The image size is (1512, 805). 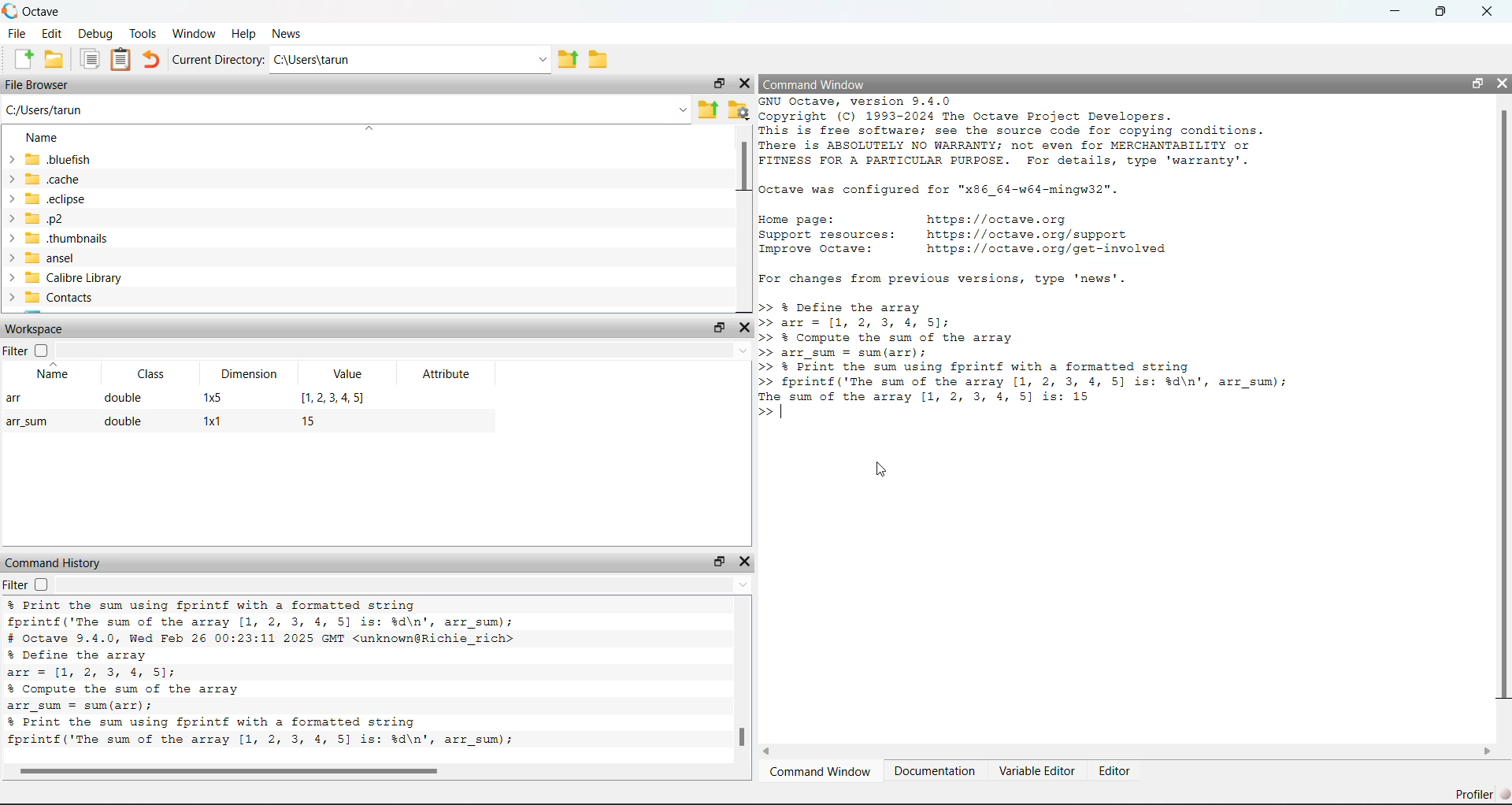 What do you see at coordinates (401, 584) in the screenshot?
I see `drop down` at bounding box center [401, 584].